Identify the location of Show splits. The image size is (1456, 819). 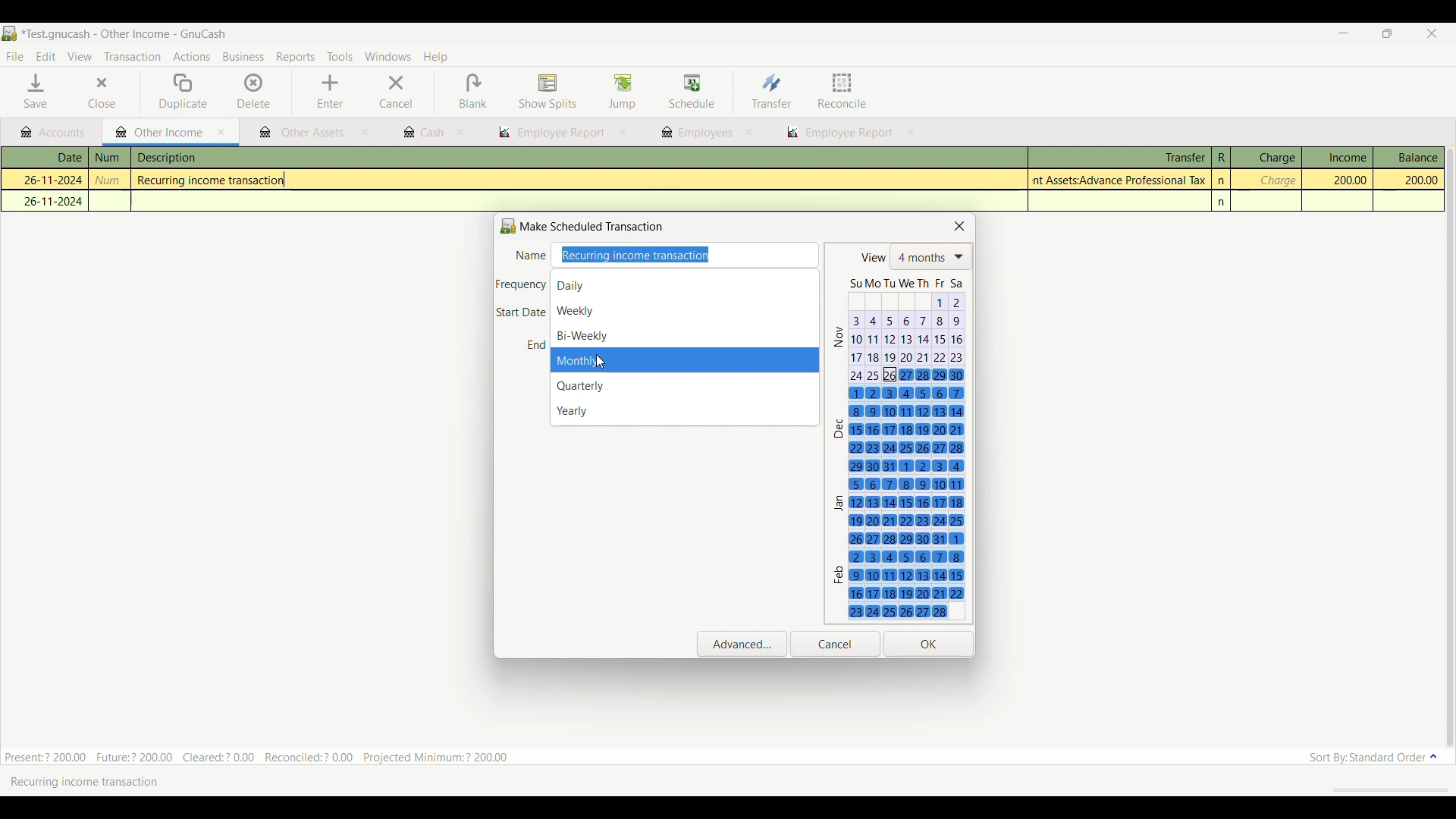
(548, 93).